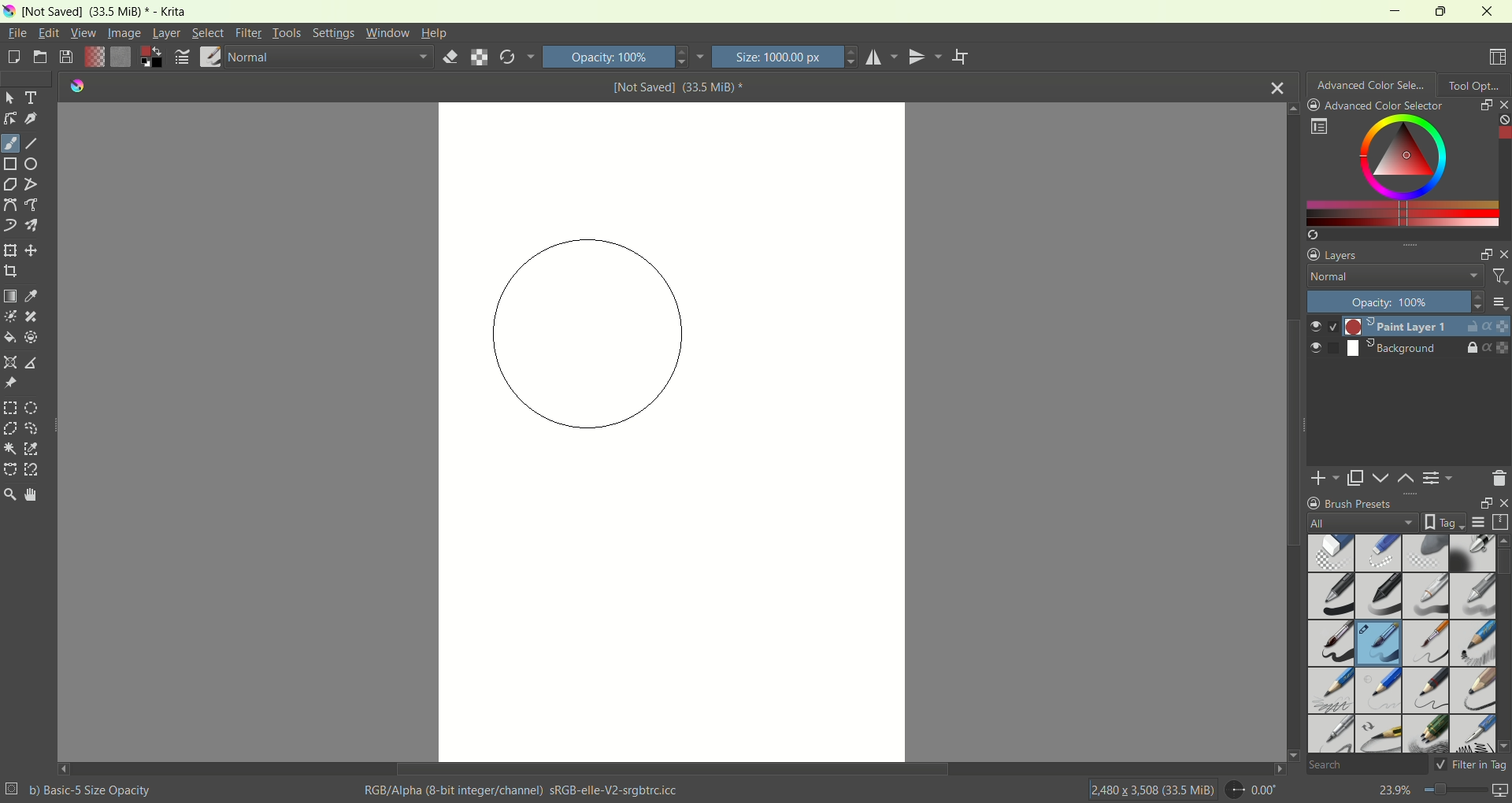 This screenshot has width=1512, height=803. I want to click on polygon, so click(9, 185).